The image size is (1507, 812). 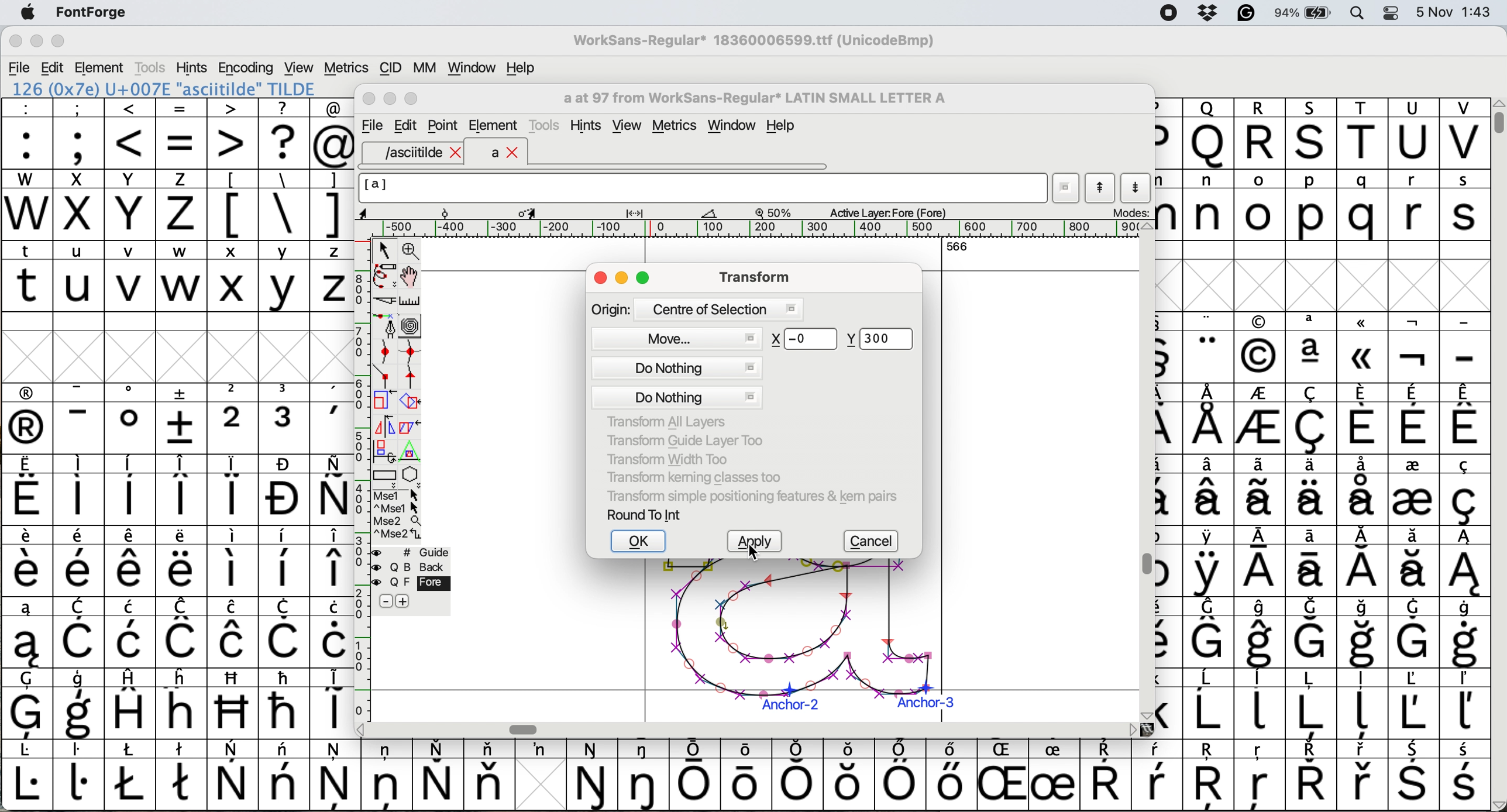 What do you see at coordinates (183, 134) in the screenshot?
I see `=` at bounding box center [183, 134].